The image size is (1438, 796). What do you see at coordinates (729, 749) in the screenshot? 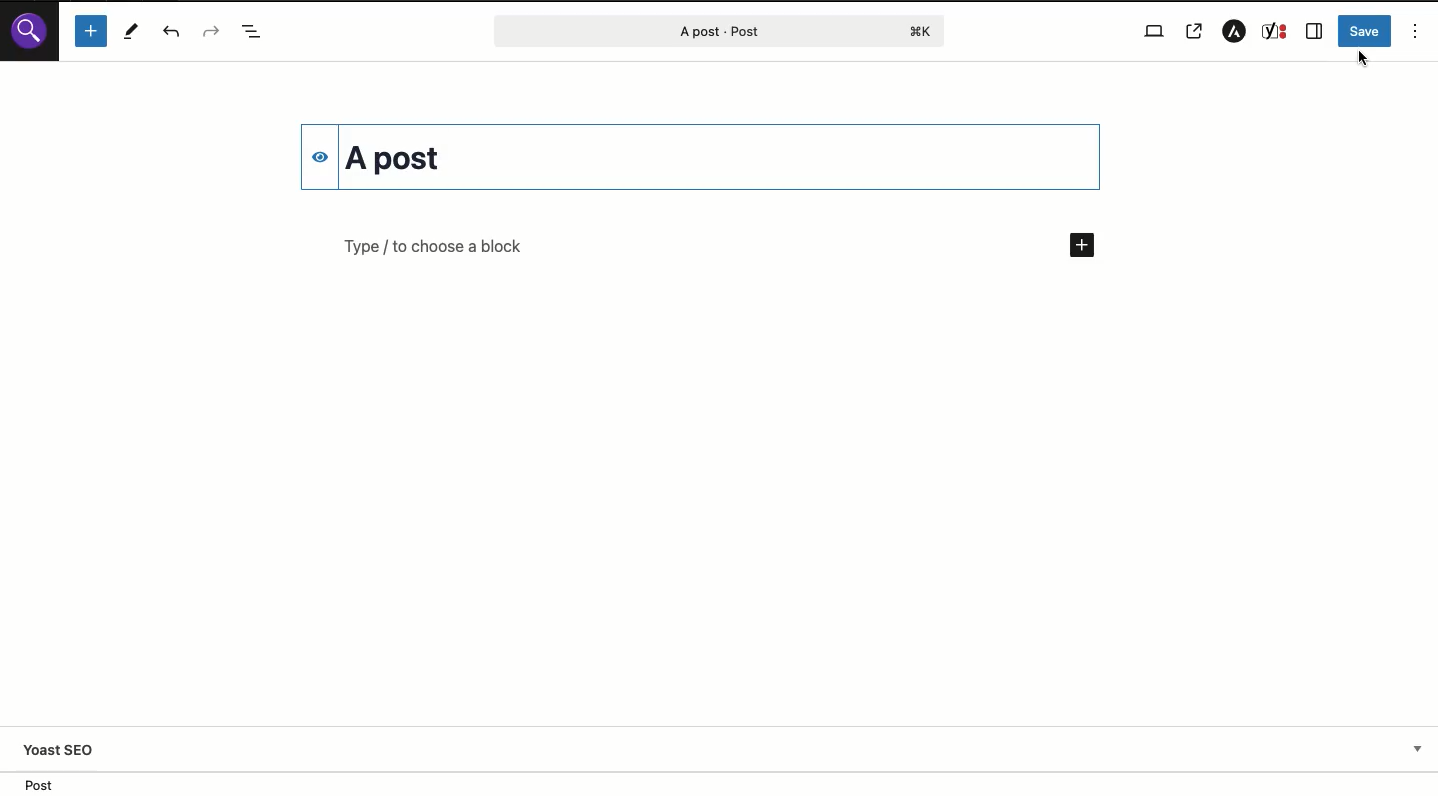
I see `Yoast SEO` at bounding box center [729, 749].